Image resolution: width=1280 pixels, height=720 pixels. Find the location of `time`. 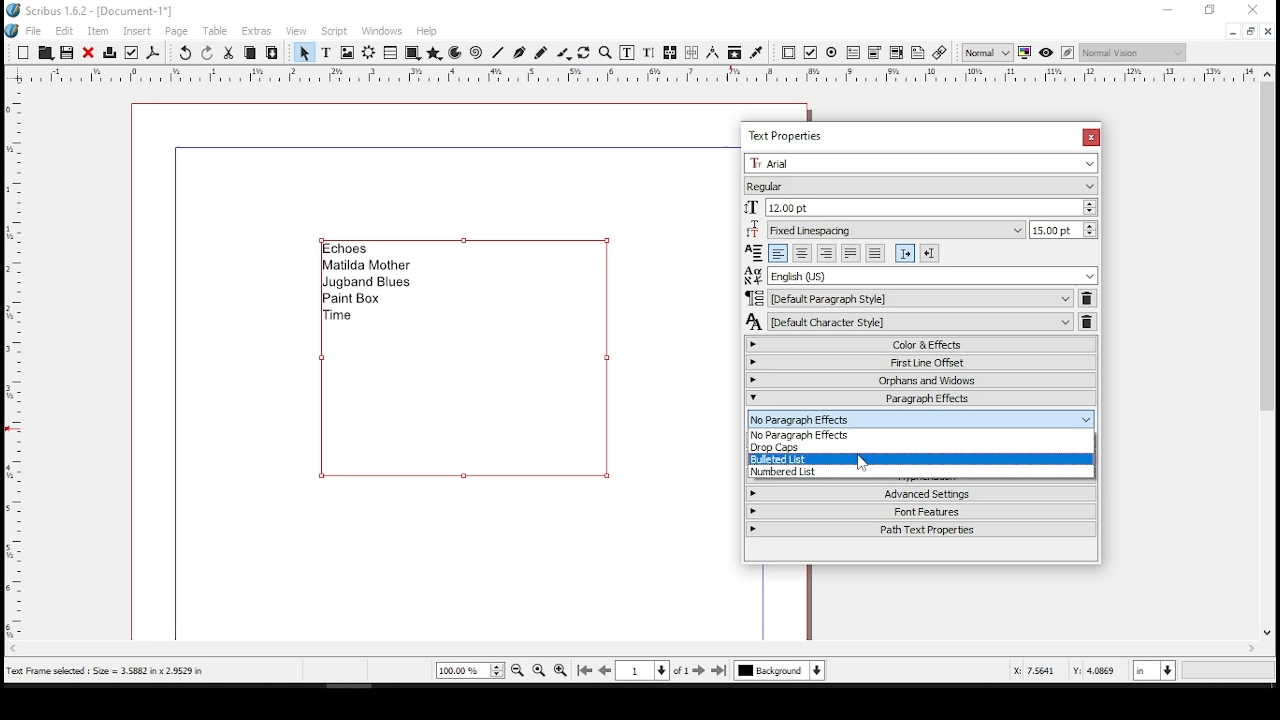

time is located at coordinates (343, 316).